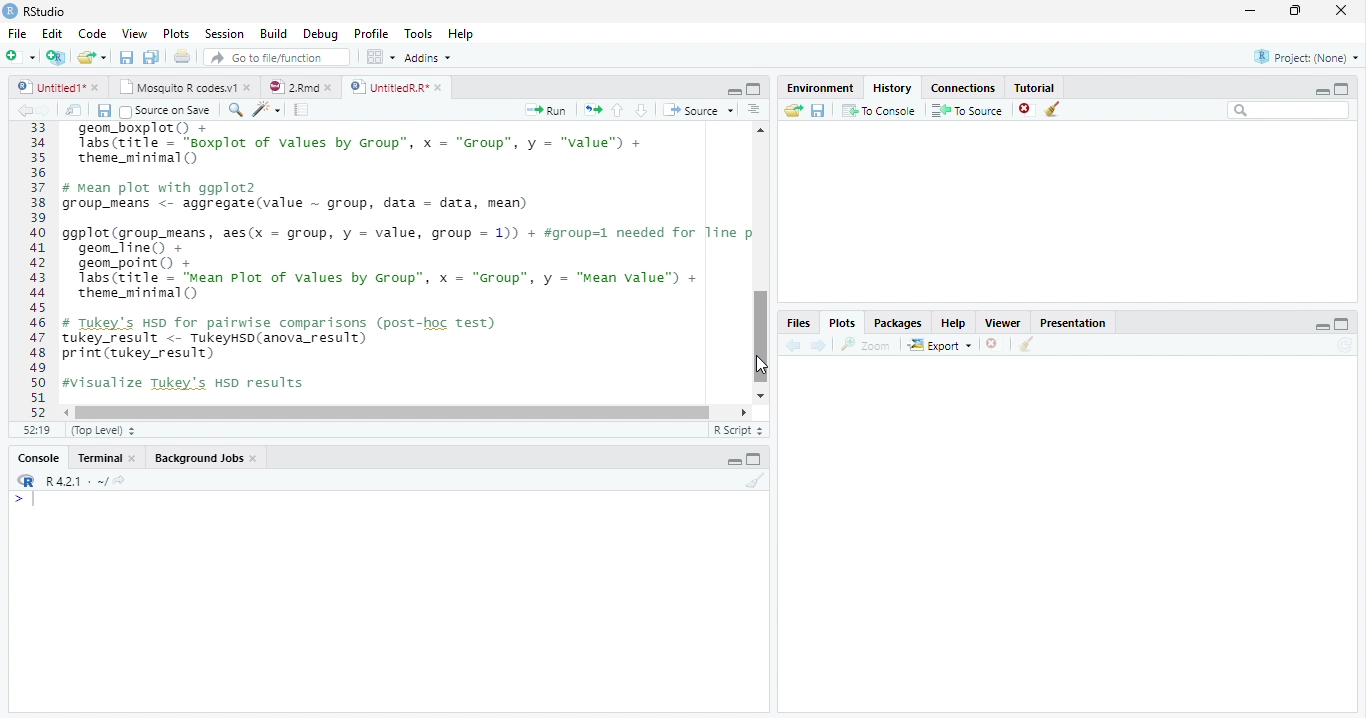 Image resolution: width=1366 pixels, height=718 pixels. Describe the element at coordinates (323, 35) in the screenshot. I see `debug` at that location.